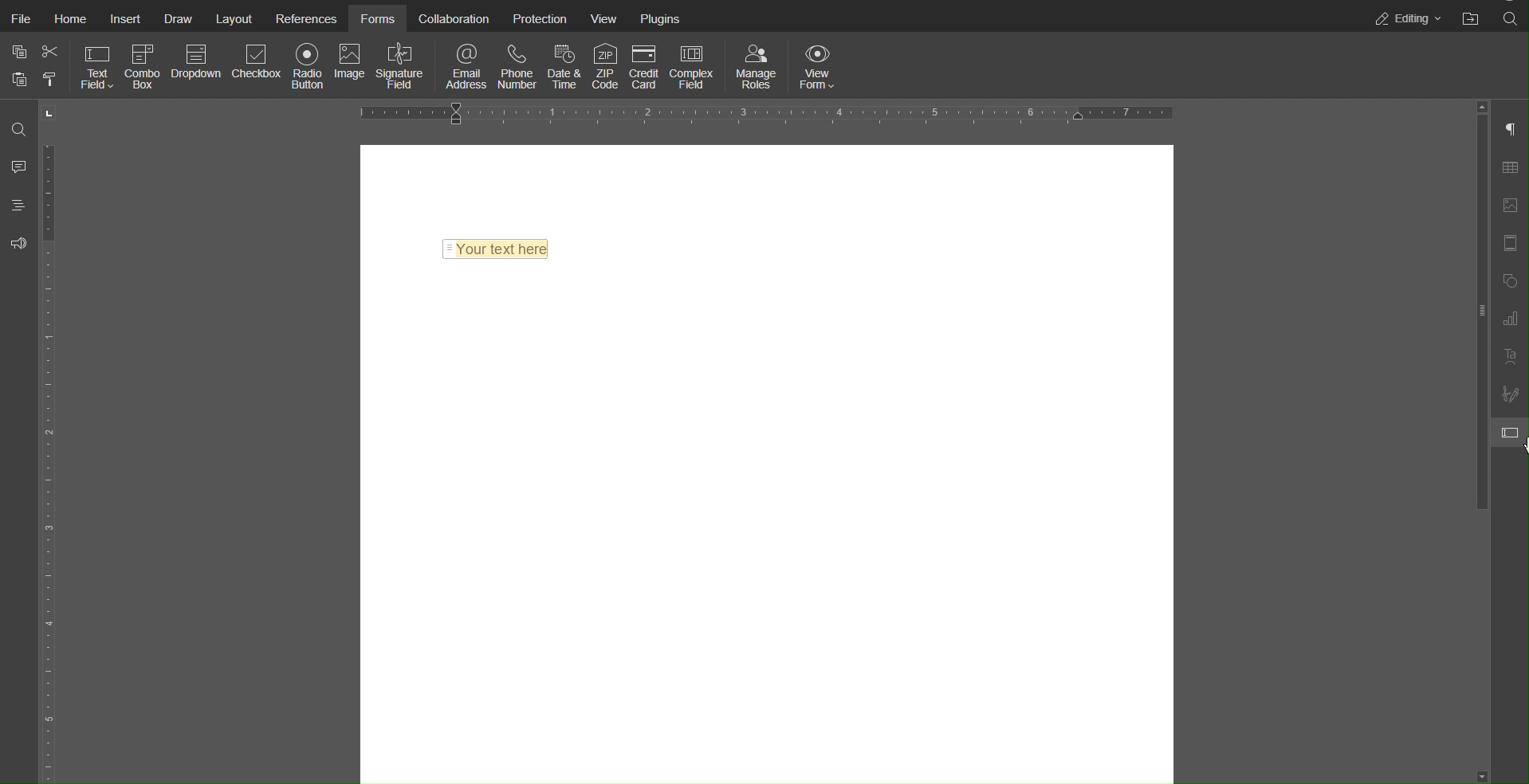  I want to click on Date & Time, so click(562, 66).